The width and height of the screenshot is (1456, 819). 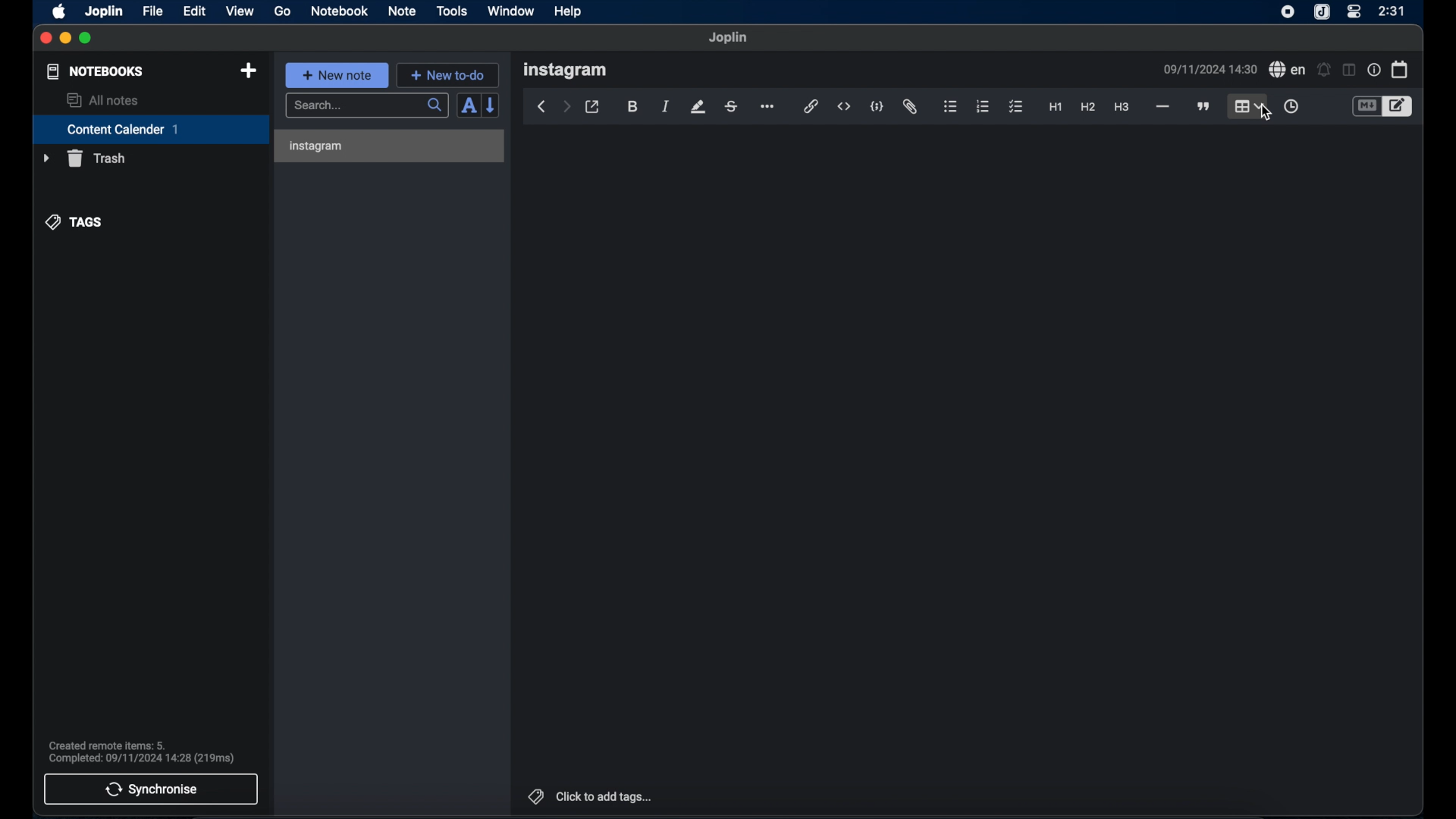 What do you see at coordinates (876, 106) in the screenshot?
I see `code` at bounding box center [876, 106].